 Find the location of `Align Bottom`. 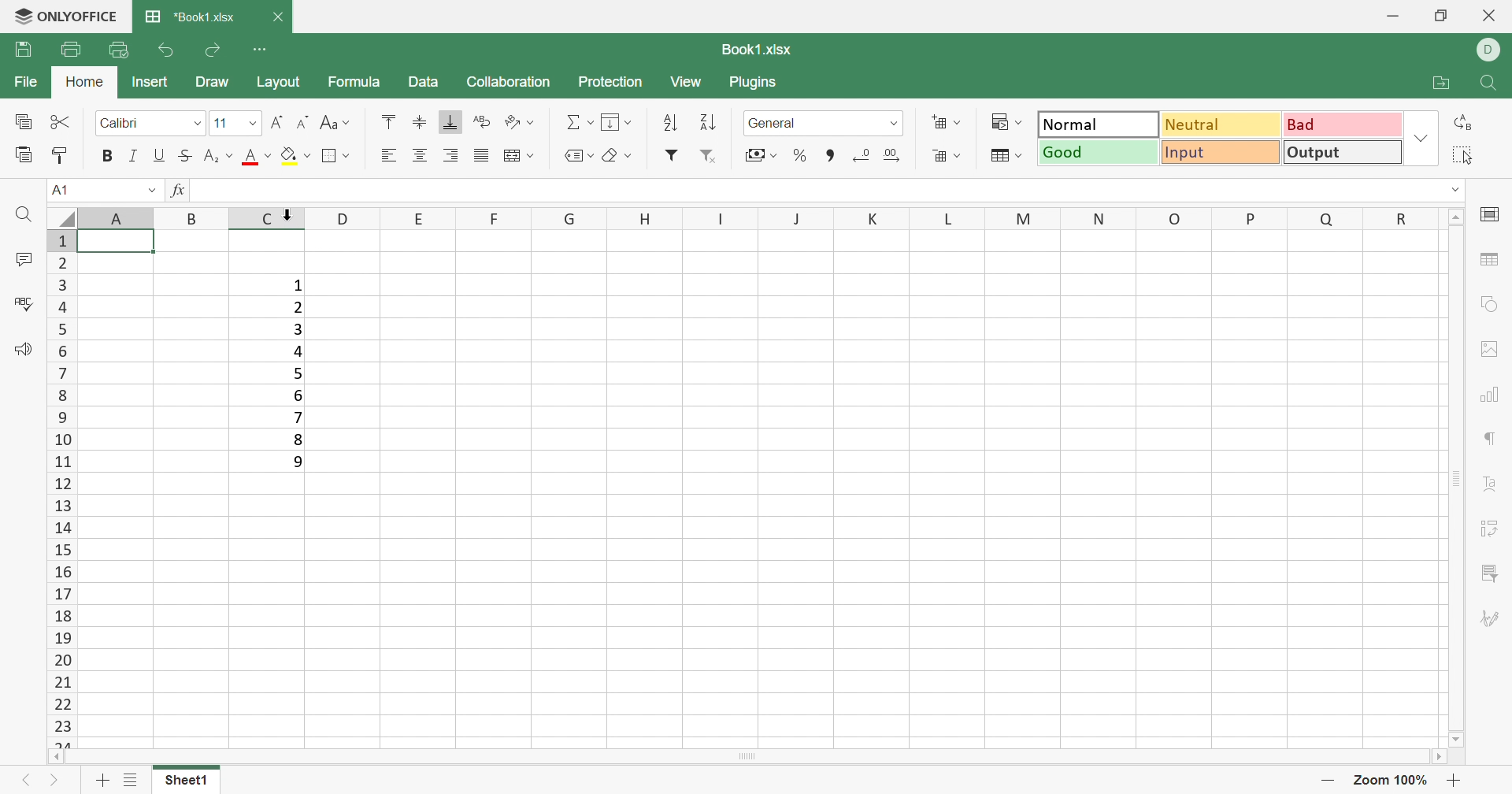

Align Bottom is located at coordinates (452, 121).